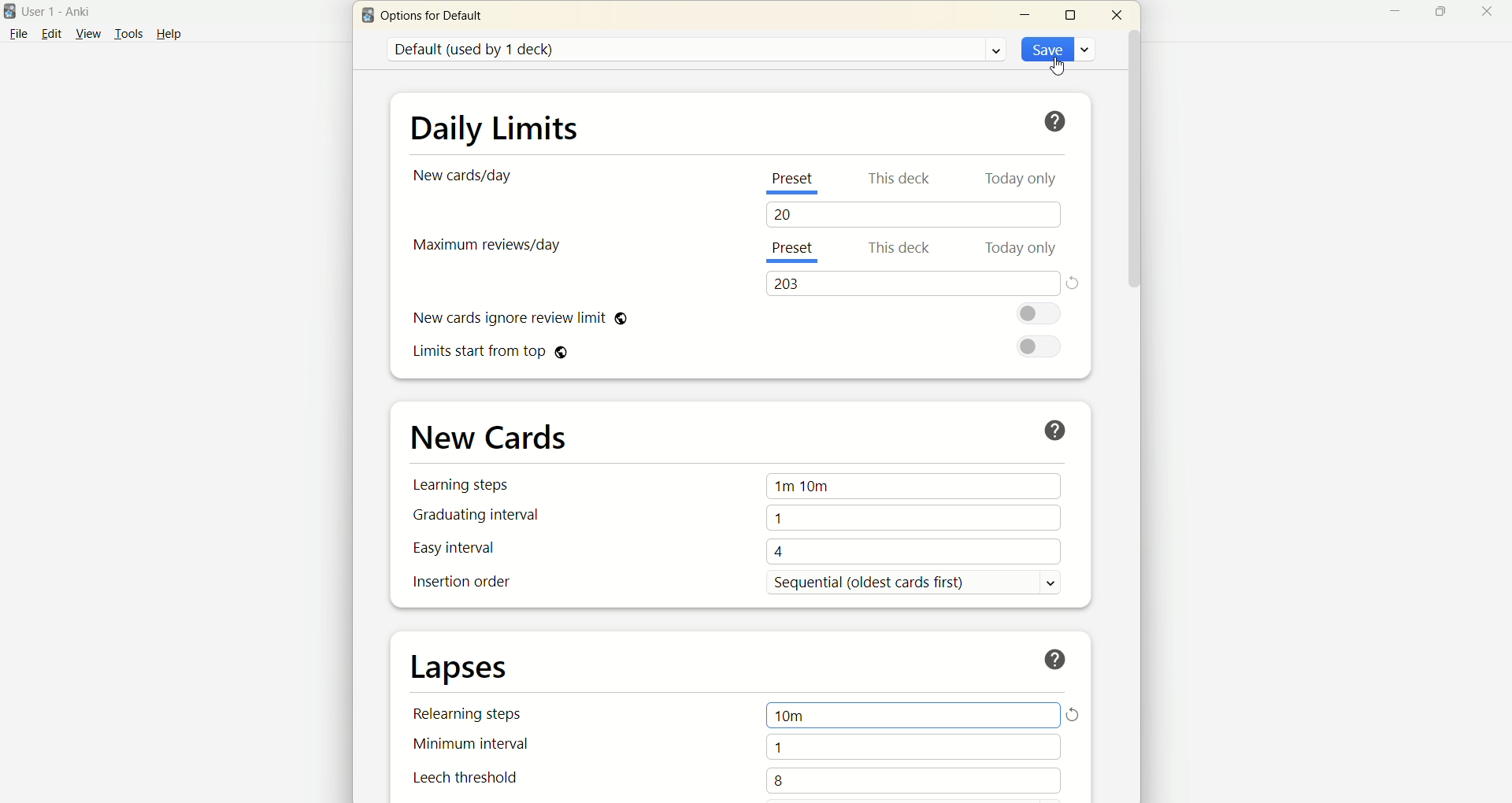 This screenshot has height=803, width=1512. I want to click on vertical scroll bar, so click(1135, 414).